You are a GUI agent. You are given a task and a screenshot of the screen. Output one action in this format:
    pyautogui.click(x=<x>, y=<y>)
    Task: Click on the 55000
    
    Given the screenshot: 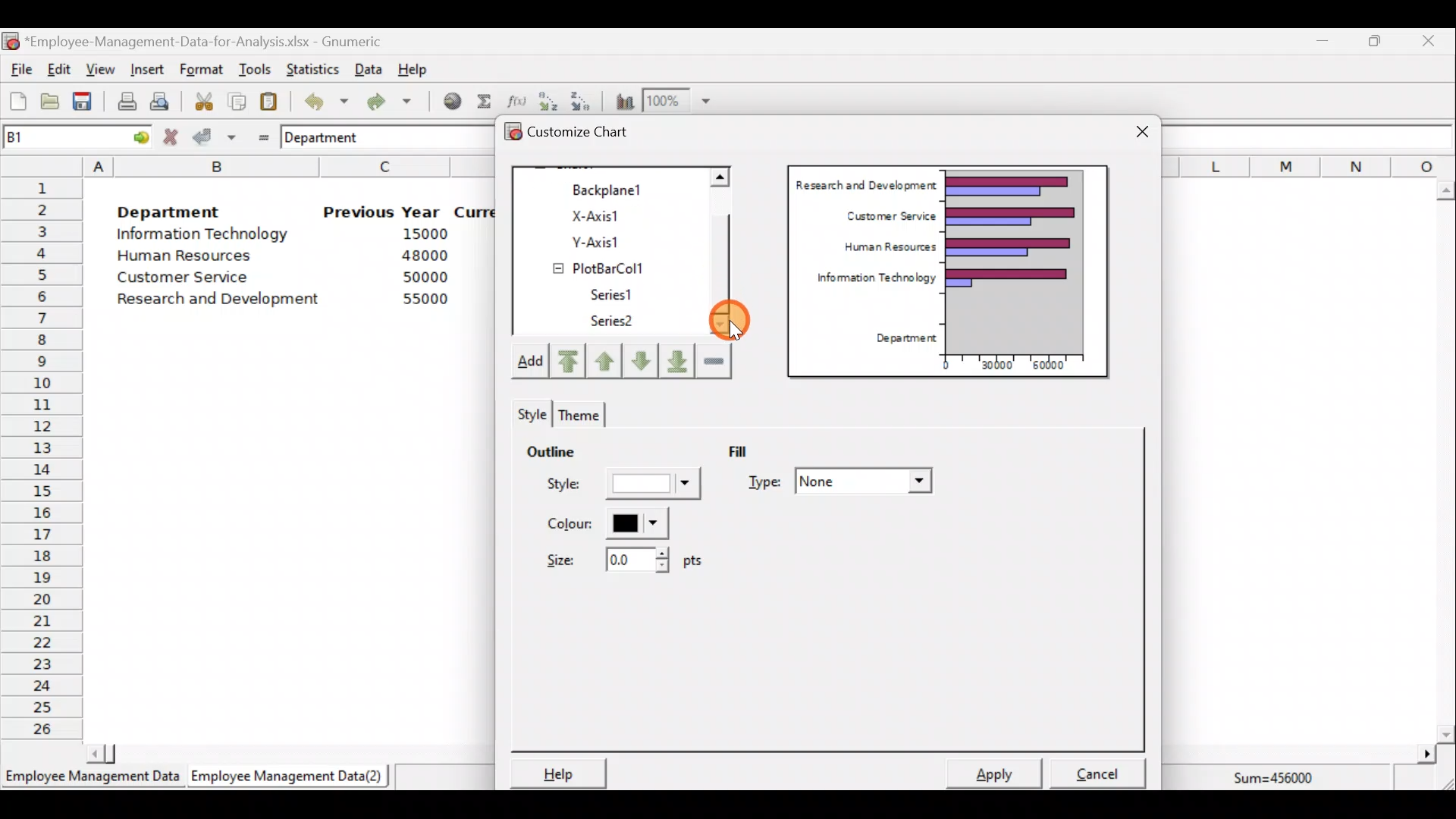 What is the action you would take?
    pyautogui.click(x=426, y=299)
    